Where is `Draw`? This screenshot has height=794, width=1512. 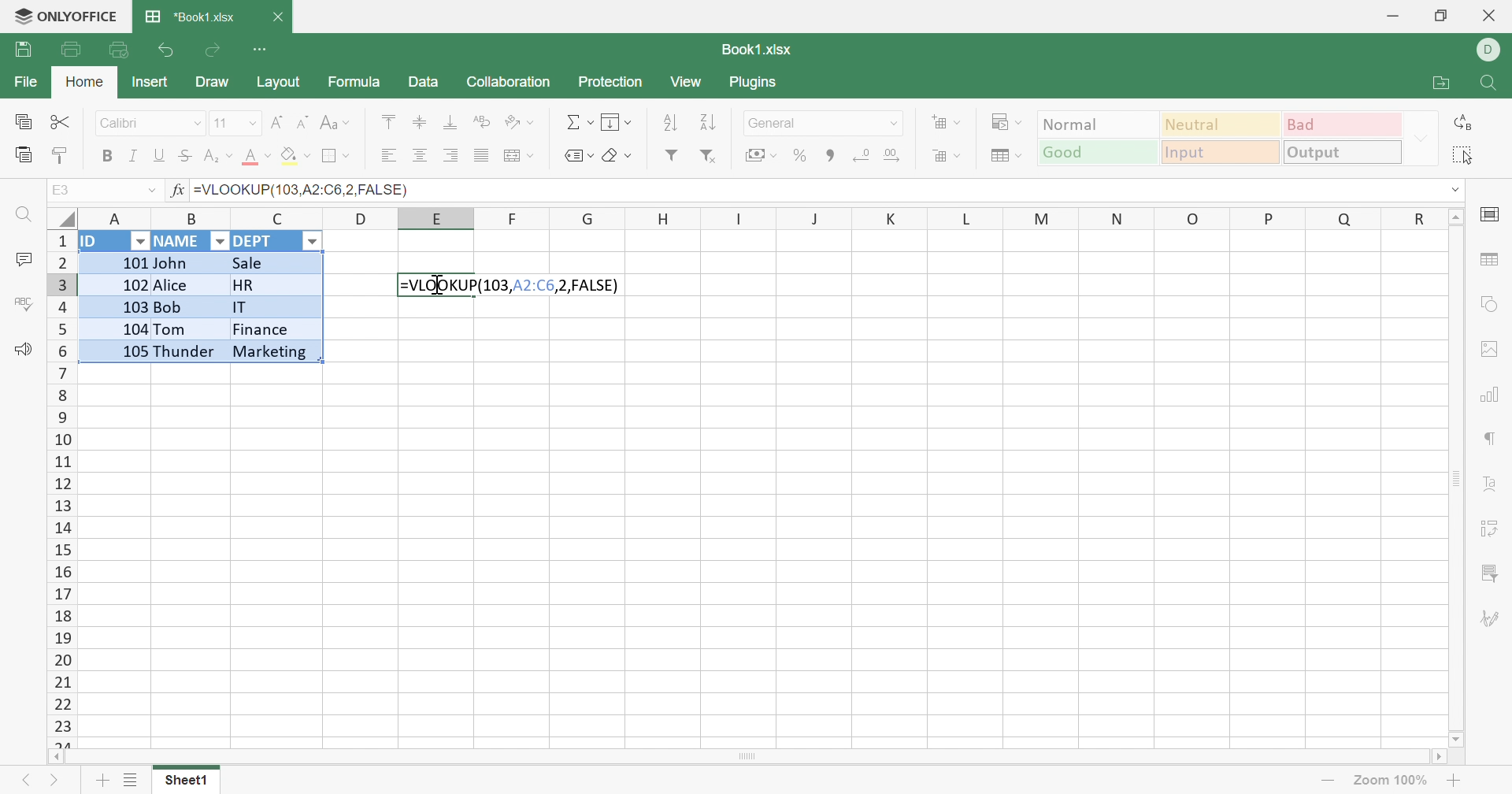 Draw is located at coordinates (213, 82).